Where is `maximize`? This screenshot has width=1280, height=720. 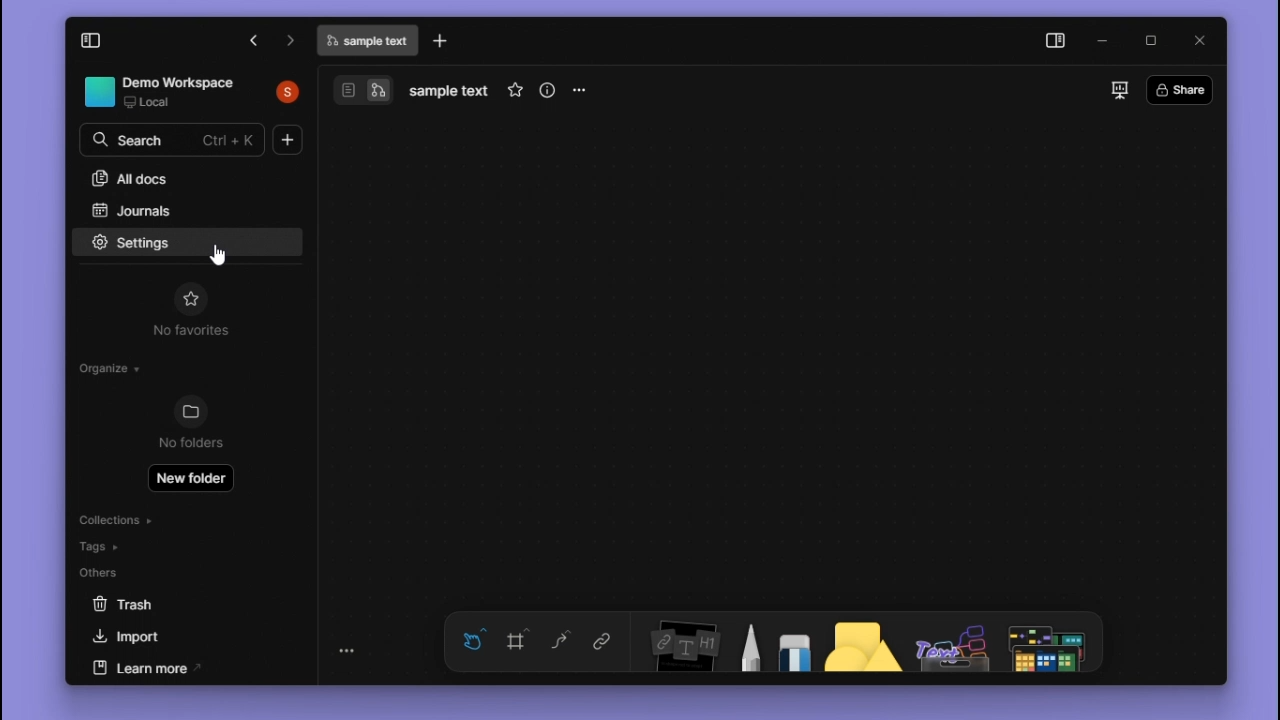 maximize is located at coordinates (1150, 37).